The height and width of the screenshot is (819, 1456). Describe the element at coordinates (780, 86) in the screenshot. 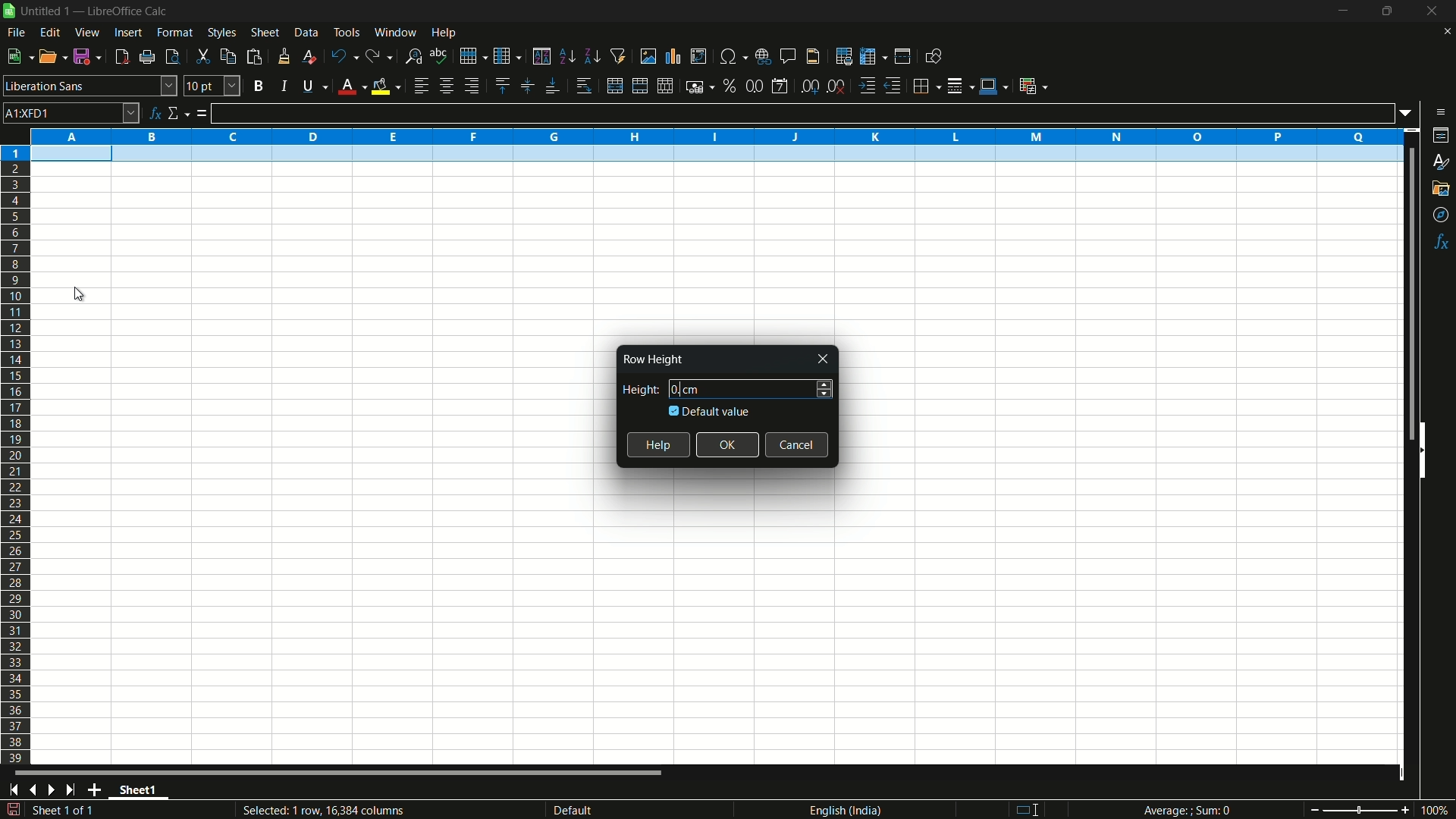

I see `format as date` at that location.